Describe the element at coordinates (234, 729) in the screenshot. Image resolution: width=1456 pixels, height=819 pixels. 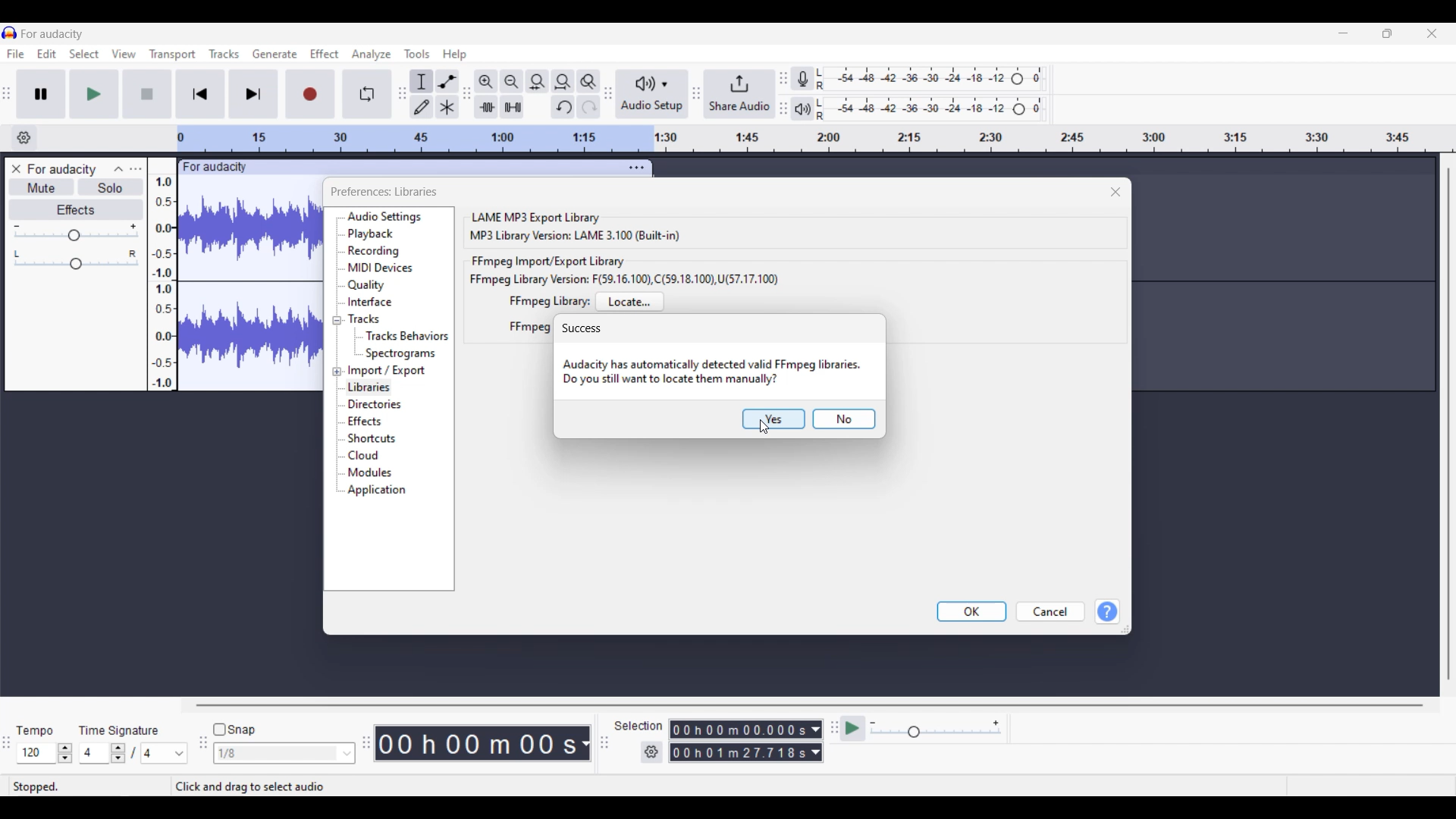
I see `Snap` at that location.